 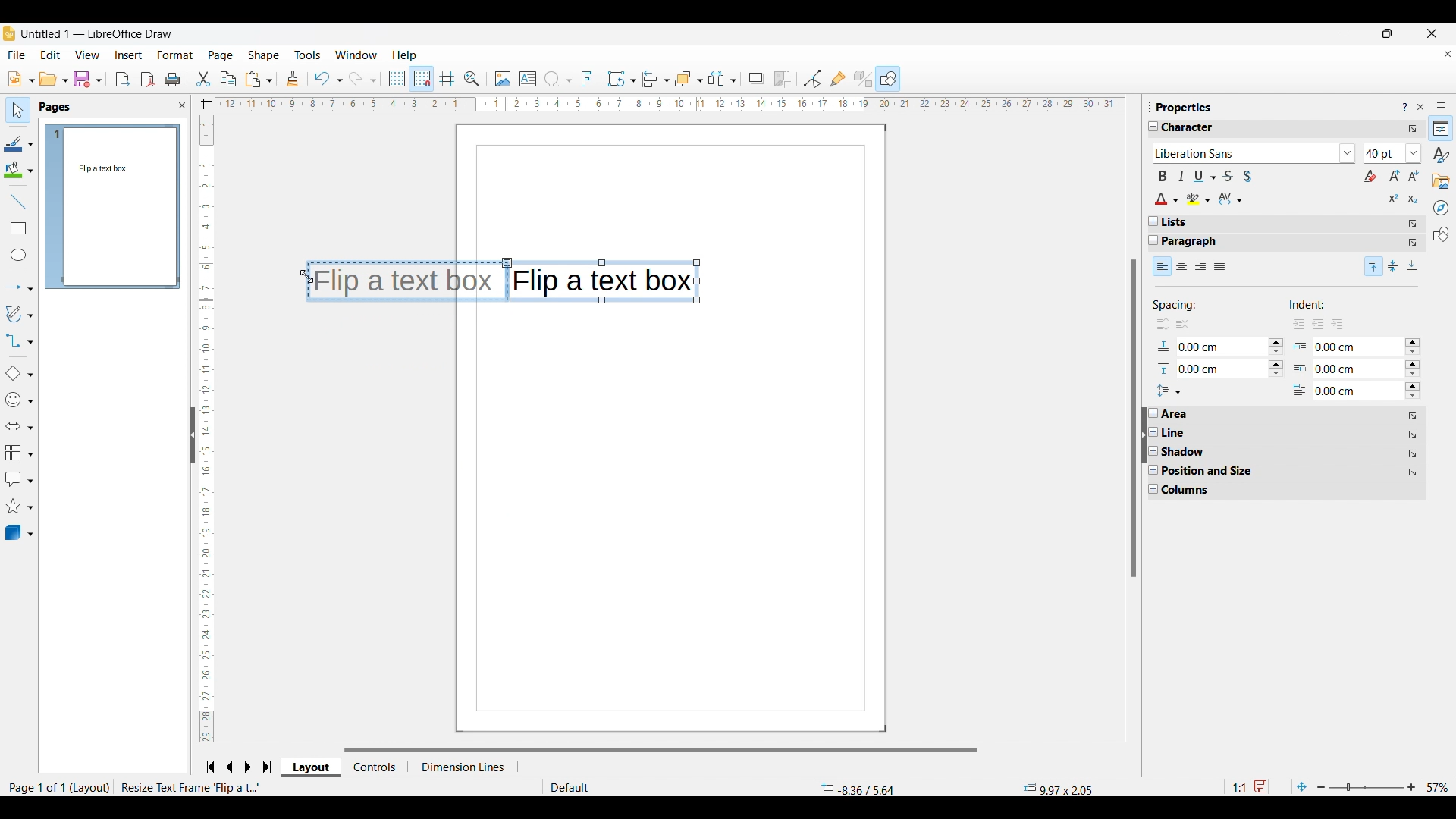 I want to click on sub indent, so click(x=1342, y=324).